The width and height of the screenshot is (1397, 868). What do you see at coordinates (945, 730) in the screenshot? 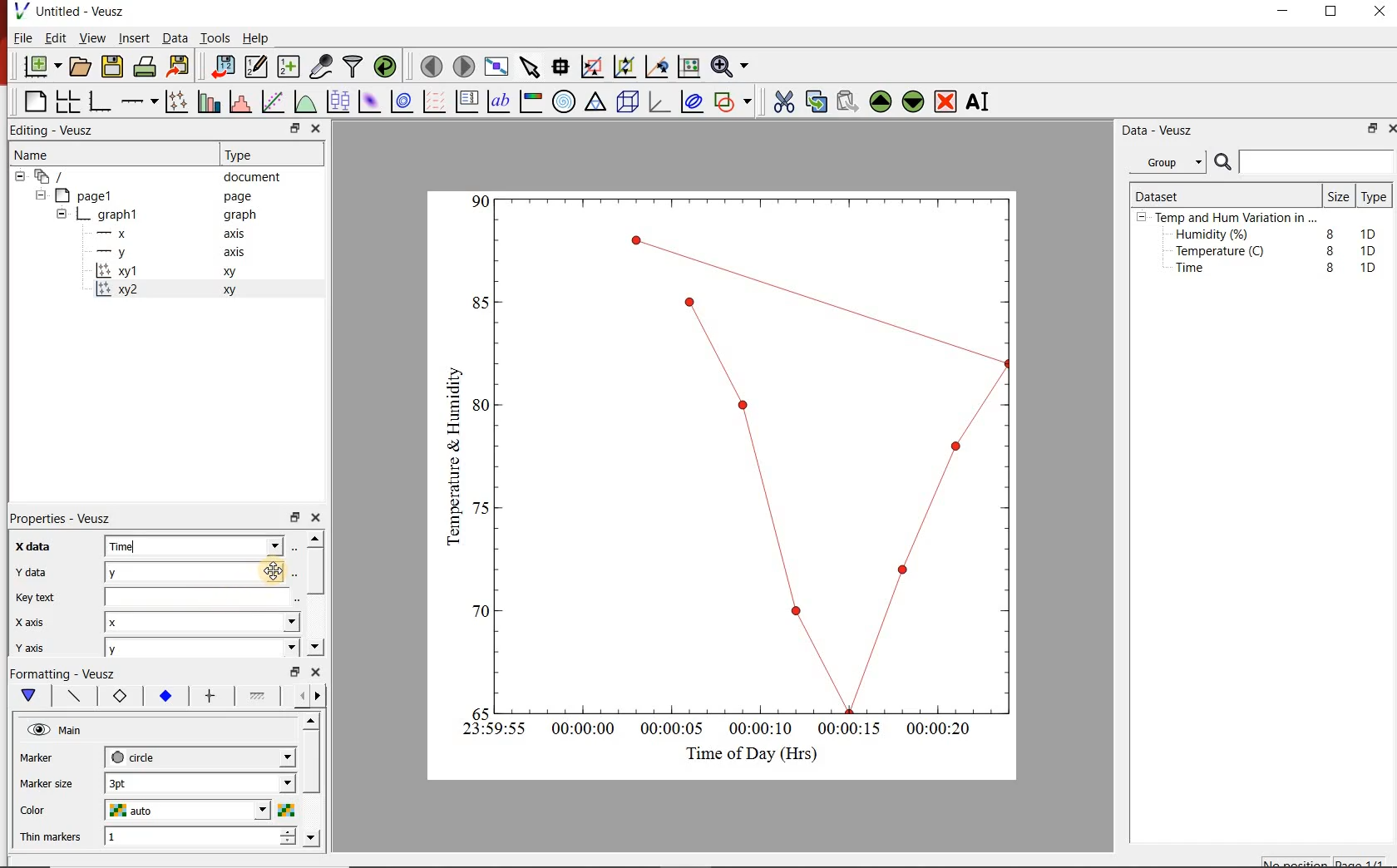
I see `00:00:20` at bounding box center [945, 730].